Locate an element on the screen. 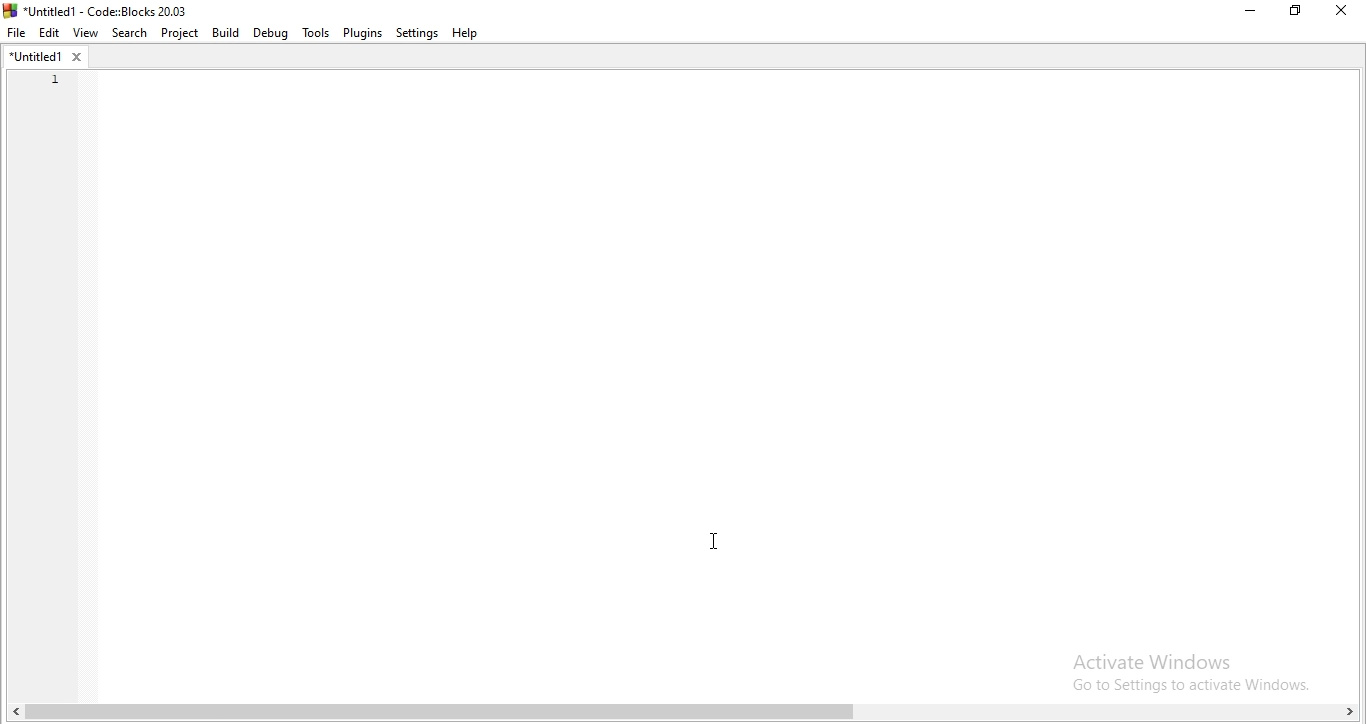 This screenshot has width=1366, height=724. Search  is located at coordinates (131, 33).